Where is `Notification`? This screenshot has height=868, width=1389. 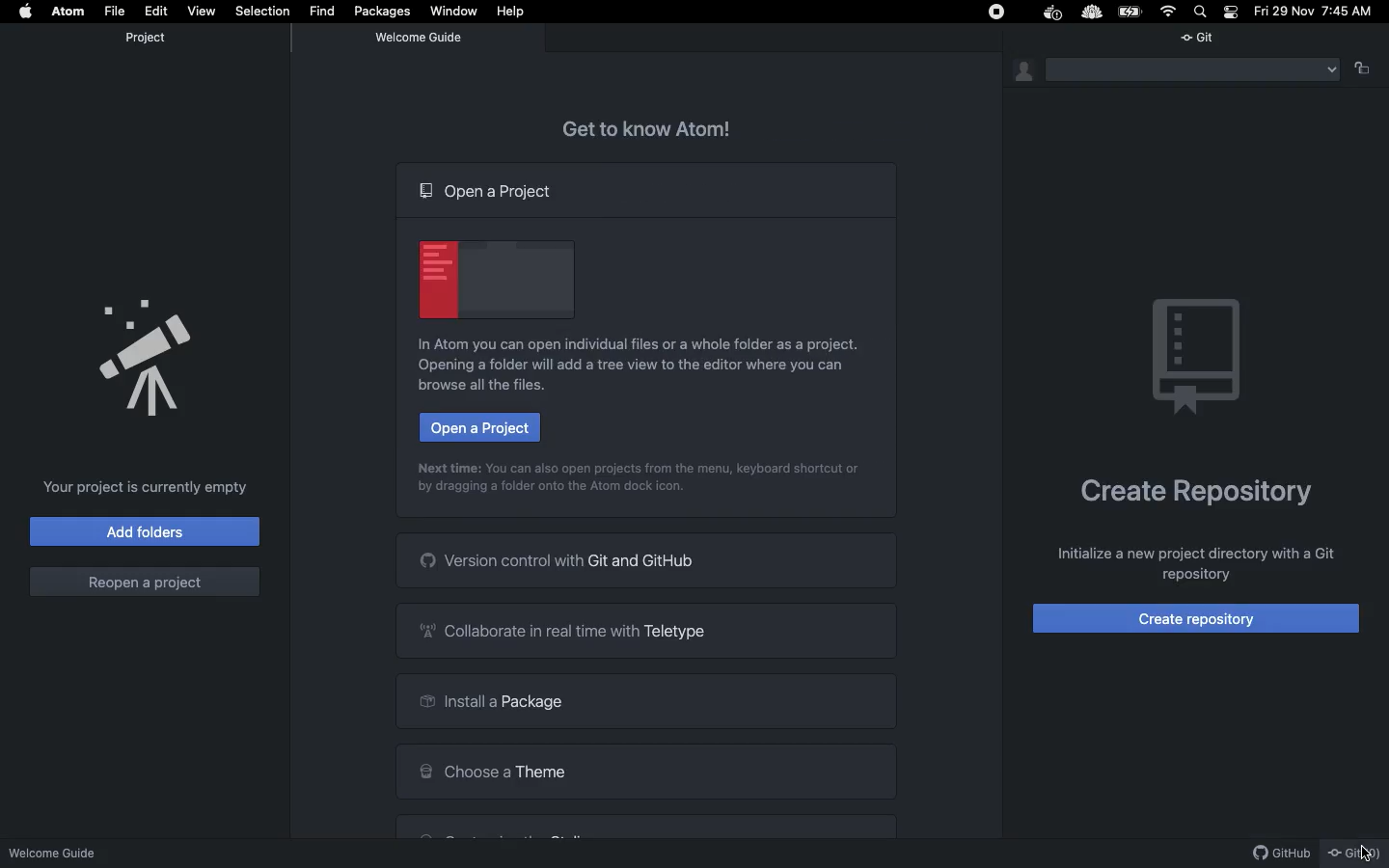 Notification is located at coordinates (1232, 12).